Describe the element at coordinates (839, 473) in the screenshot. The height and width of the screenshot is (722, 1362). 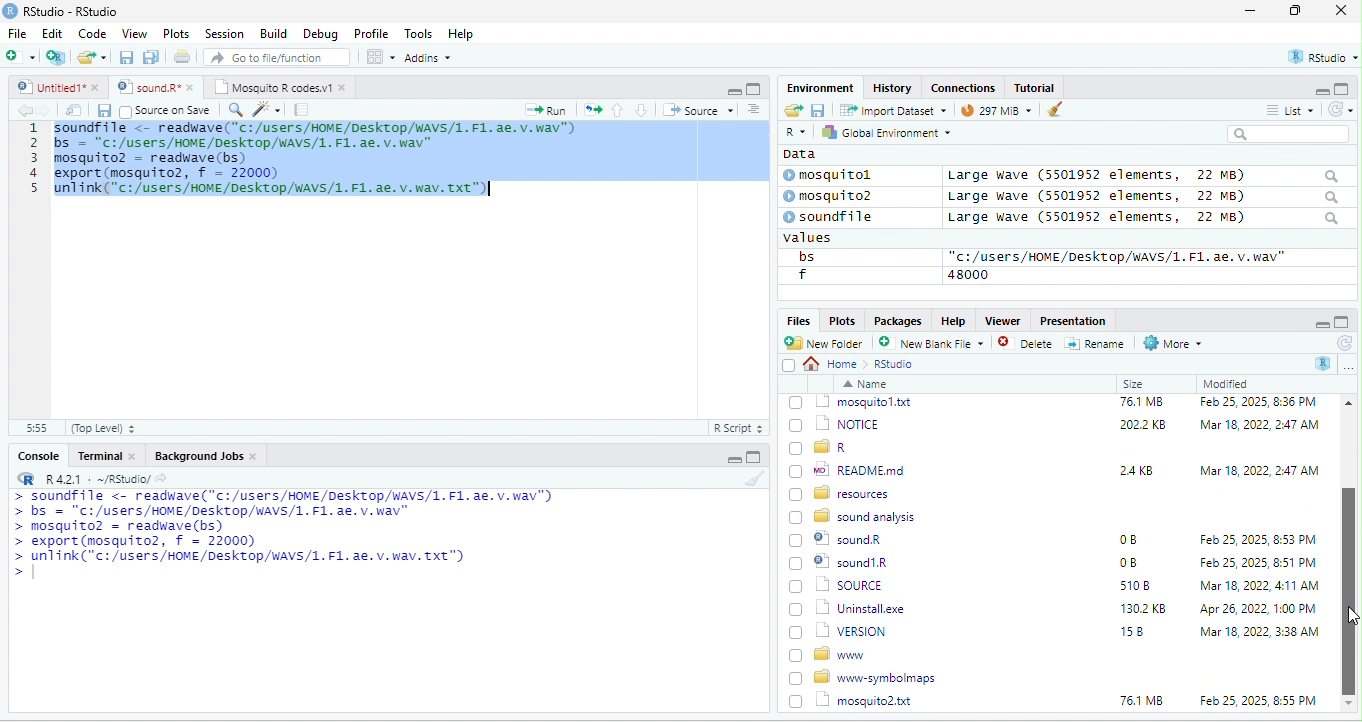
I see `‘| COPYING` at that location.